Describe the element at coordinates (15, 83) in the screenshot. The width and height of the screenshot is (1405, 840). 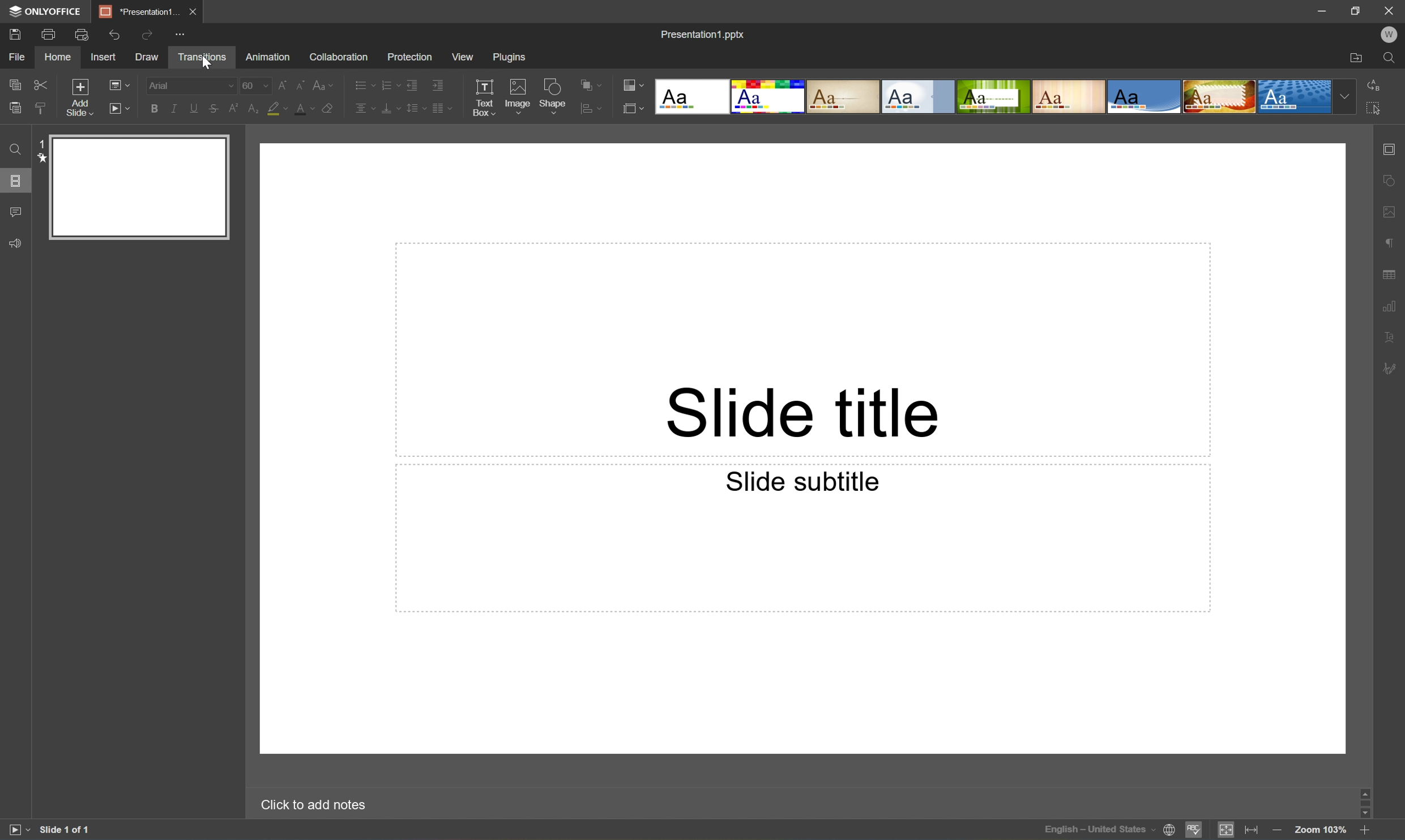
I see `Copy` at that location.